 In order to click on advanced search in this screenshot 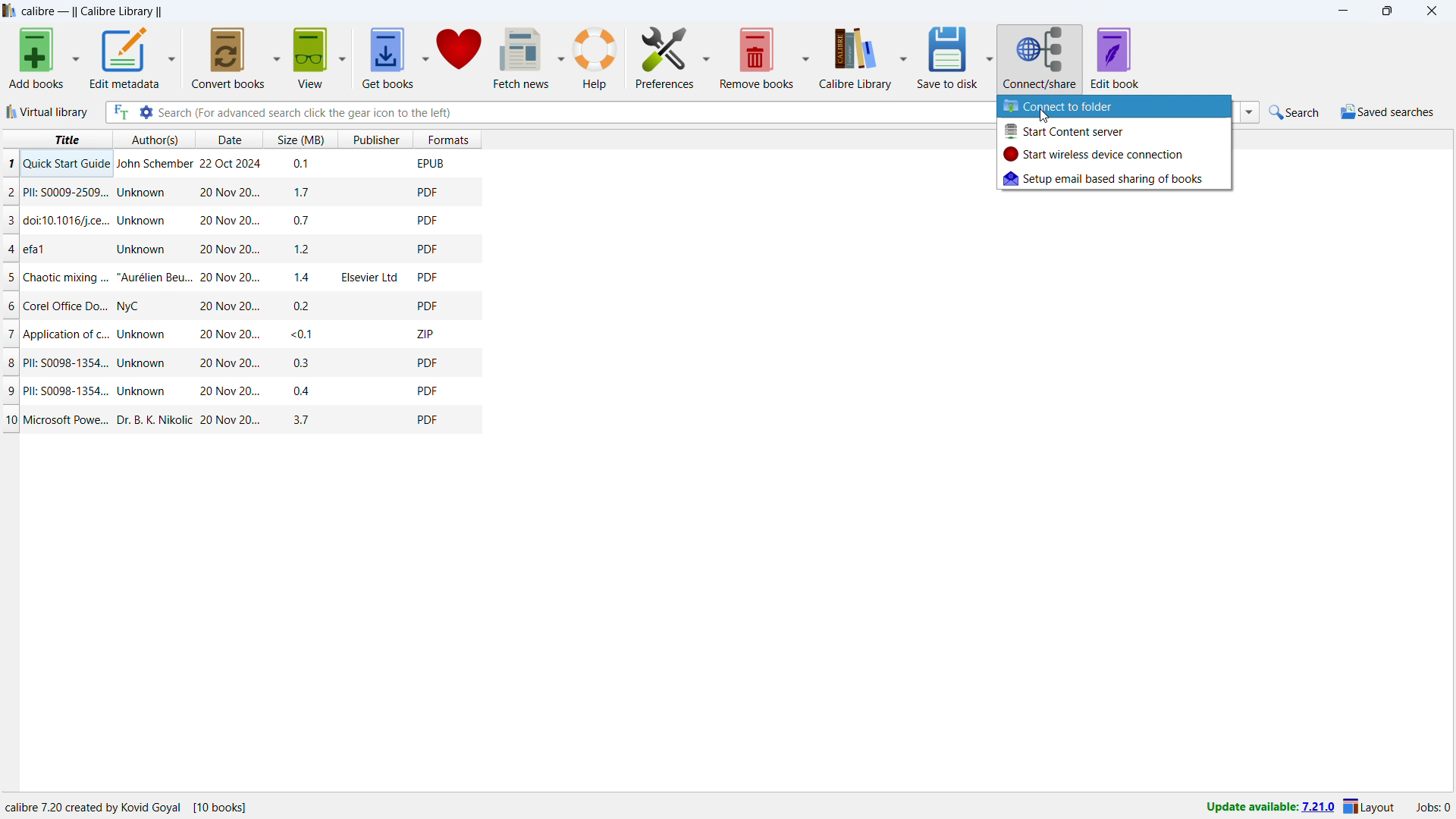, I will do `click(146, 111)`.